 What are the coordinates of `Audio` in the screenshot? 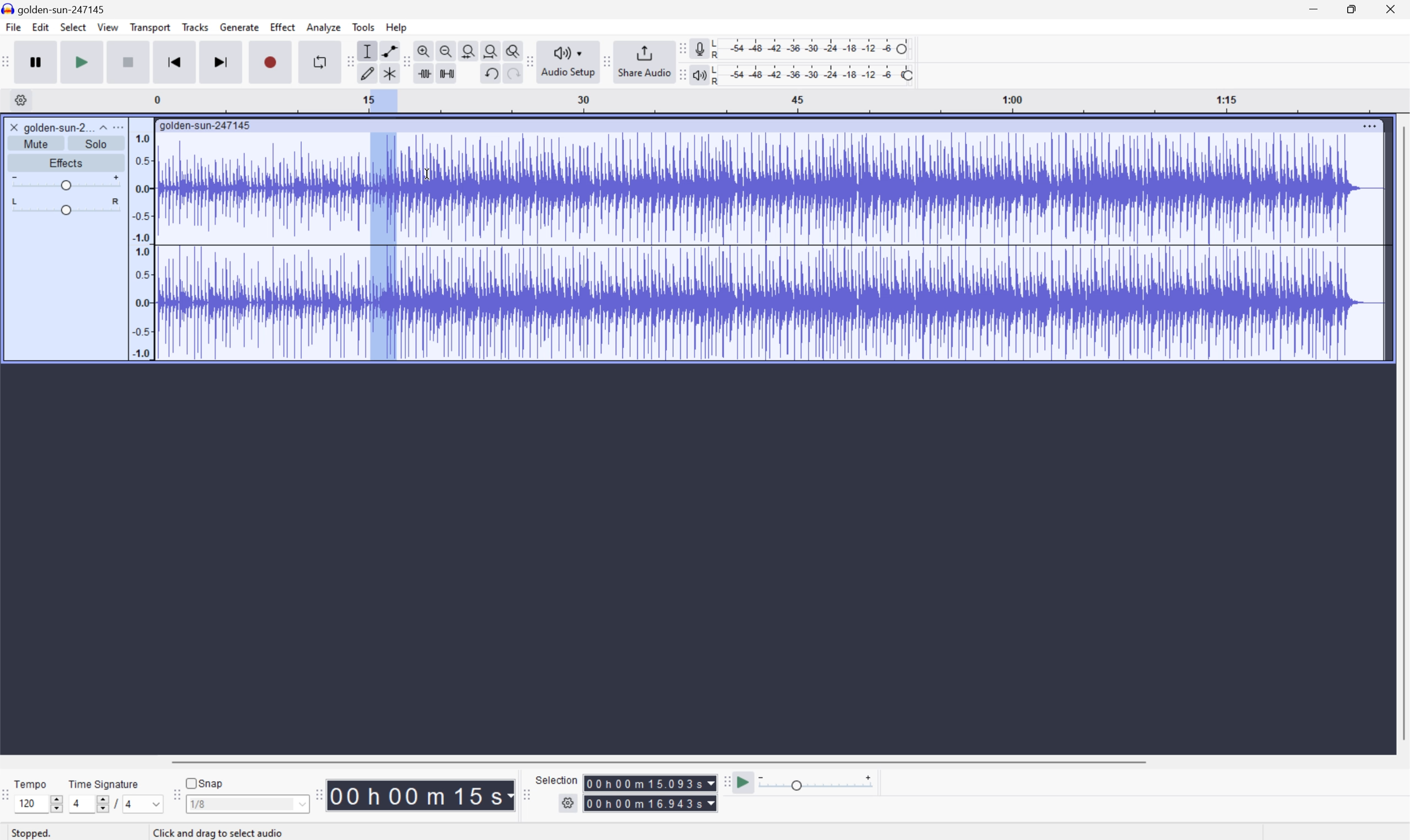 It's located at (770, 244).